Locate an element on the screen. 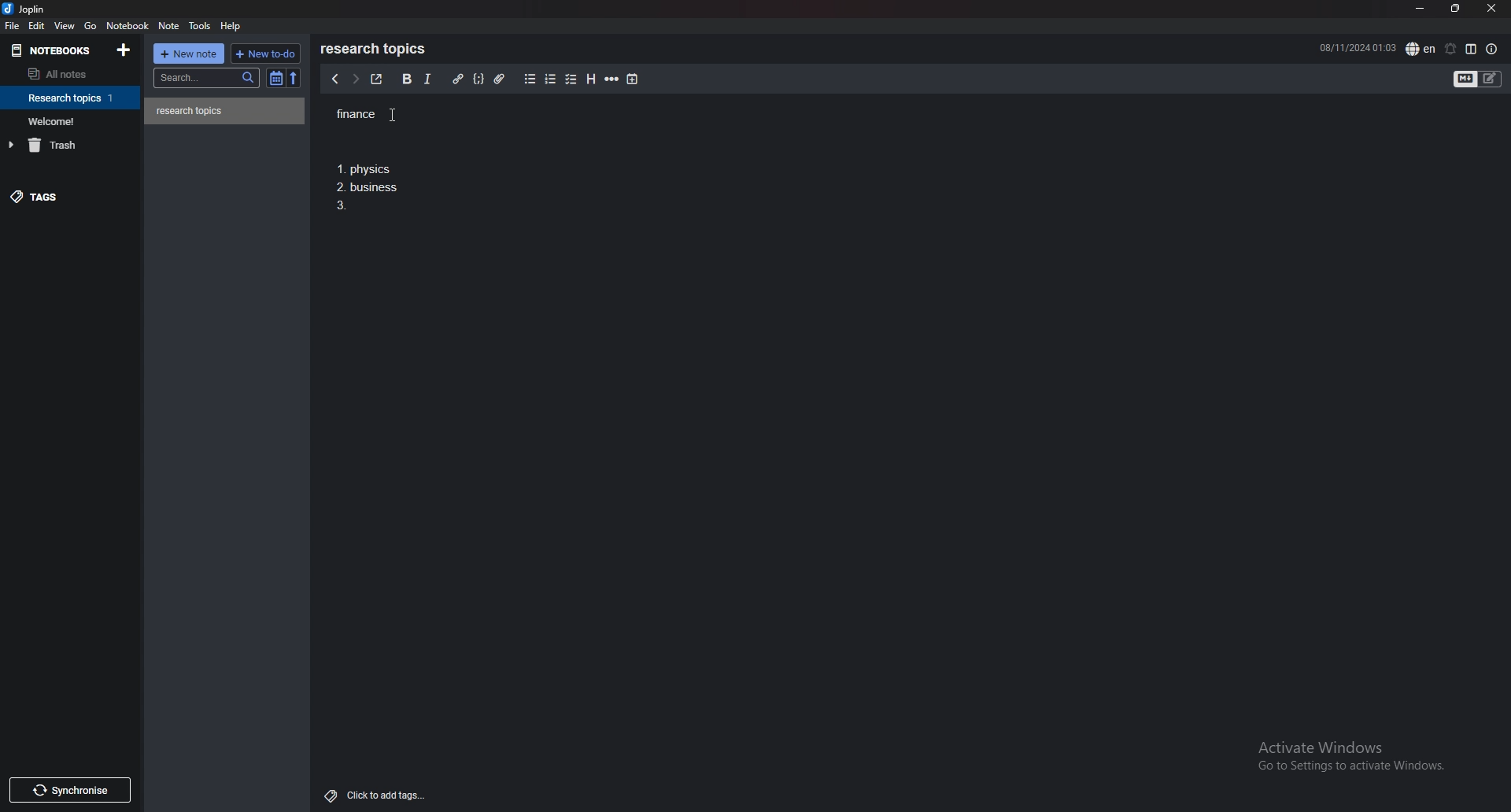  joplin is located at coordinates (25, 10).